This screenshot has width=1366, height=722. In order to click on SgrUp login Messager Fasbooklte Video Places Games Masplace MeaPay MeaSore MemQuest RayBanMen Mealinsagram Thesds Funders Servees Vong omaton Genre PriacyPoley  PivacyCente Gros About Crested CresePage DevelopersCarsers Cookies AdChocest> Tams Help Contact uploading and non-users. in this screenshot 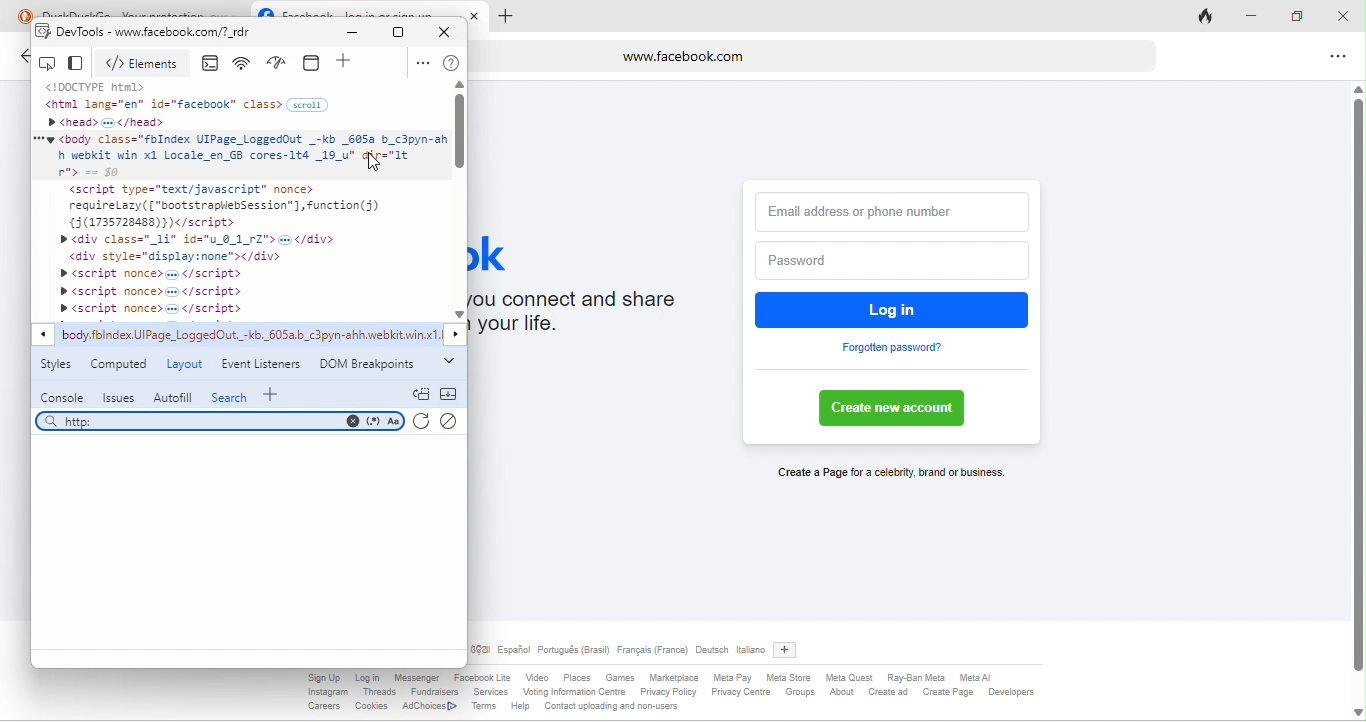, I will do `click(681, 695)`.